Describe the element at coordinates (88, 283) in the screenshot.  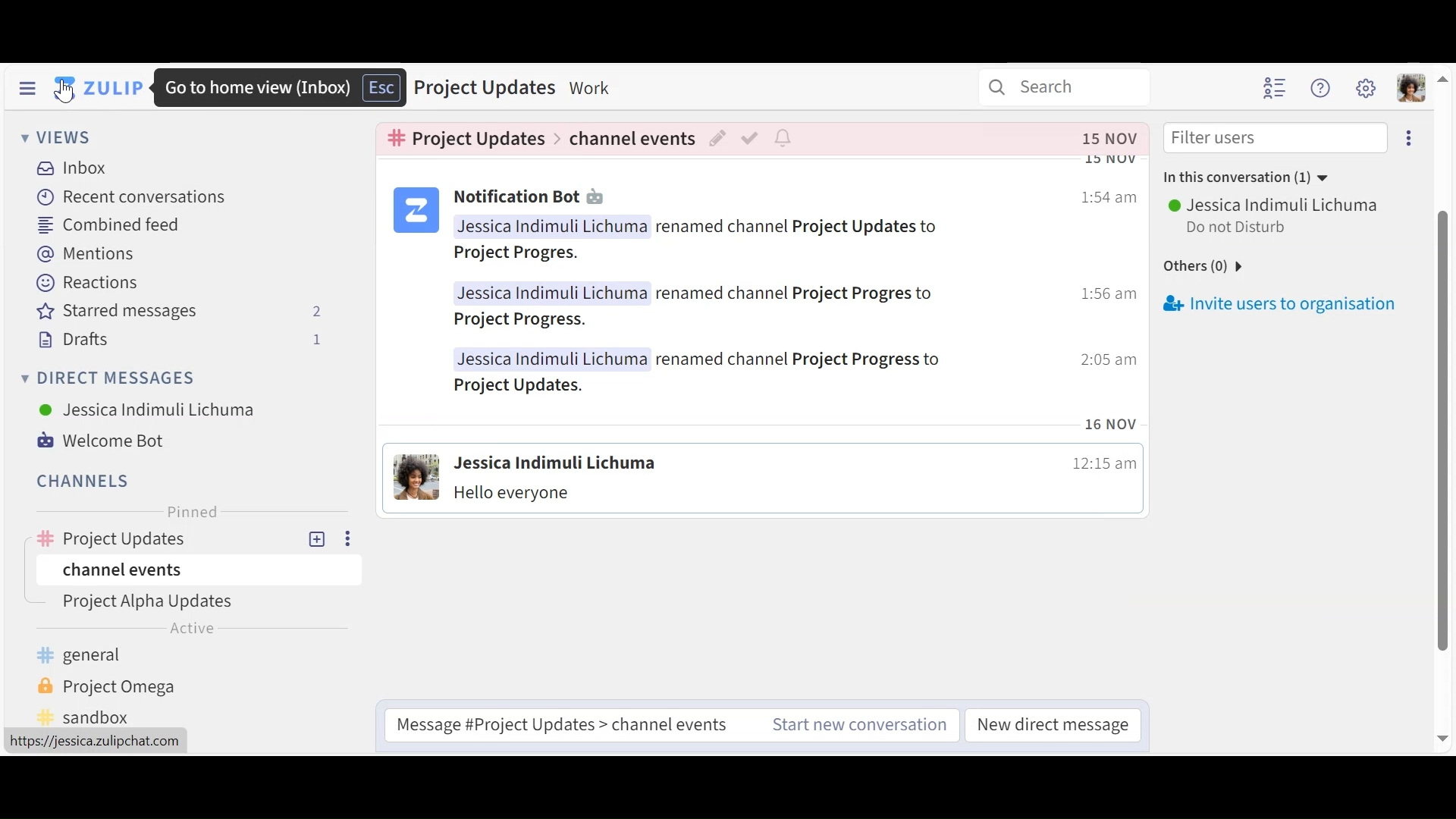
I see `Reactions` at that location.